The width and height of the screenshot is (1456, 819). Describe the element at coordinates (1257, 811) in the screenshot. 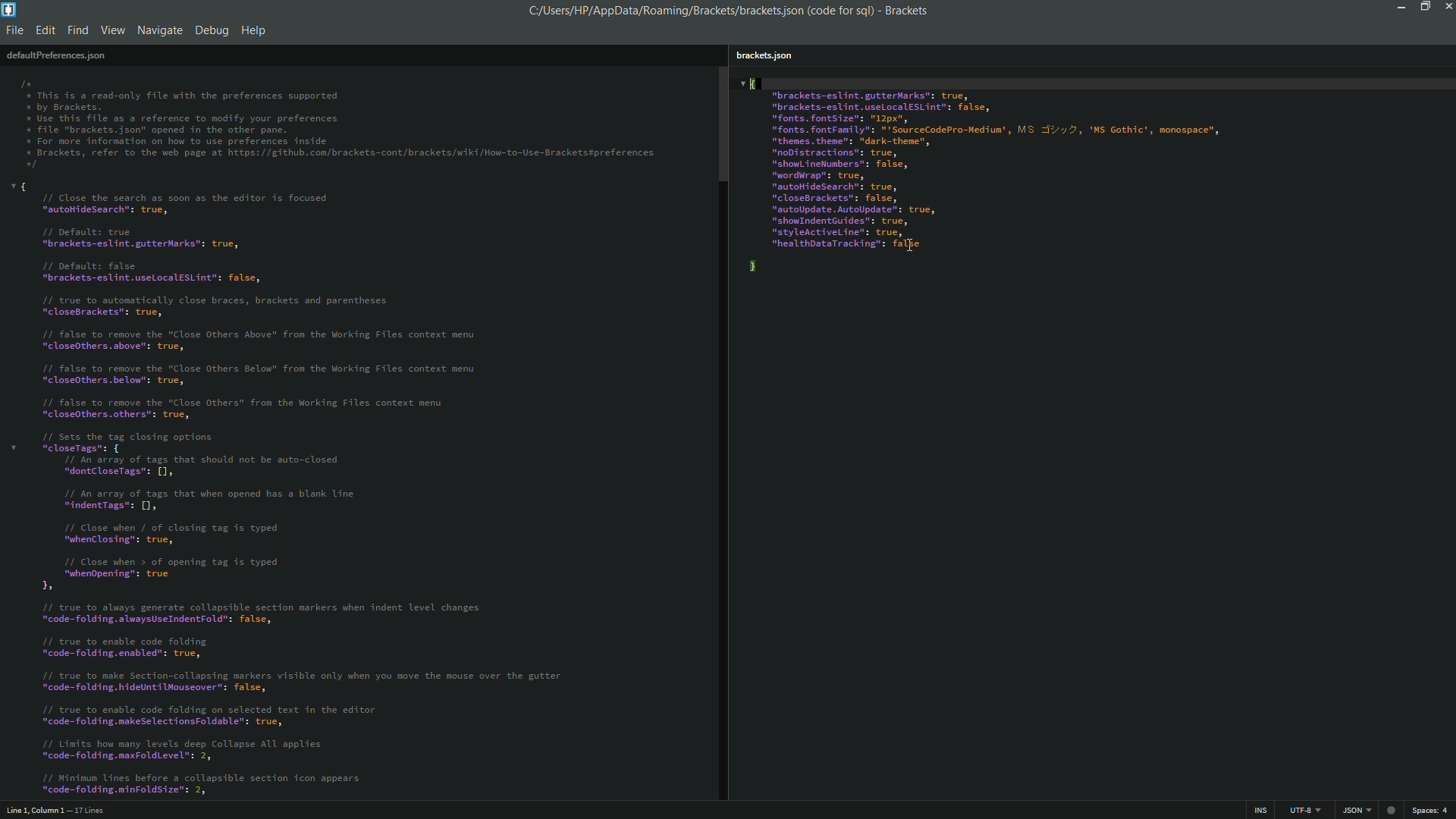

I see `INS` at that location.